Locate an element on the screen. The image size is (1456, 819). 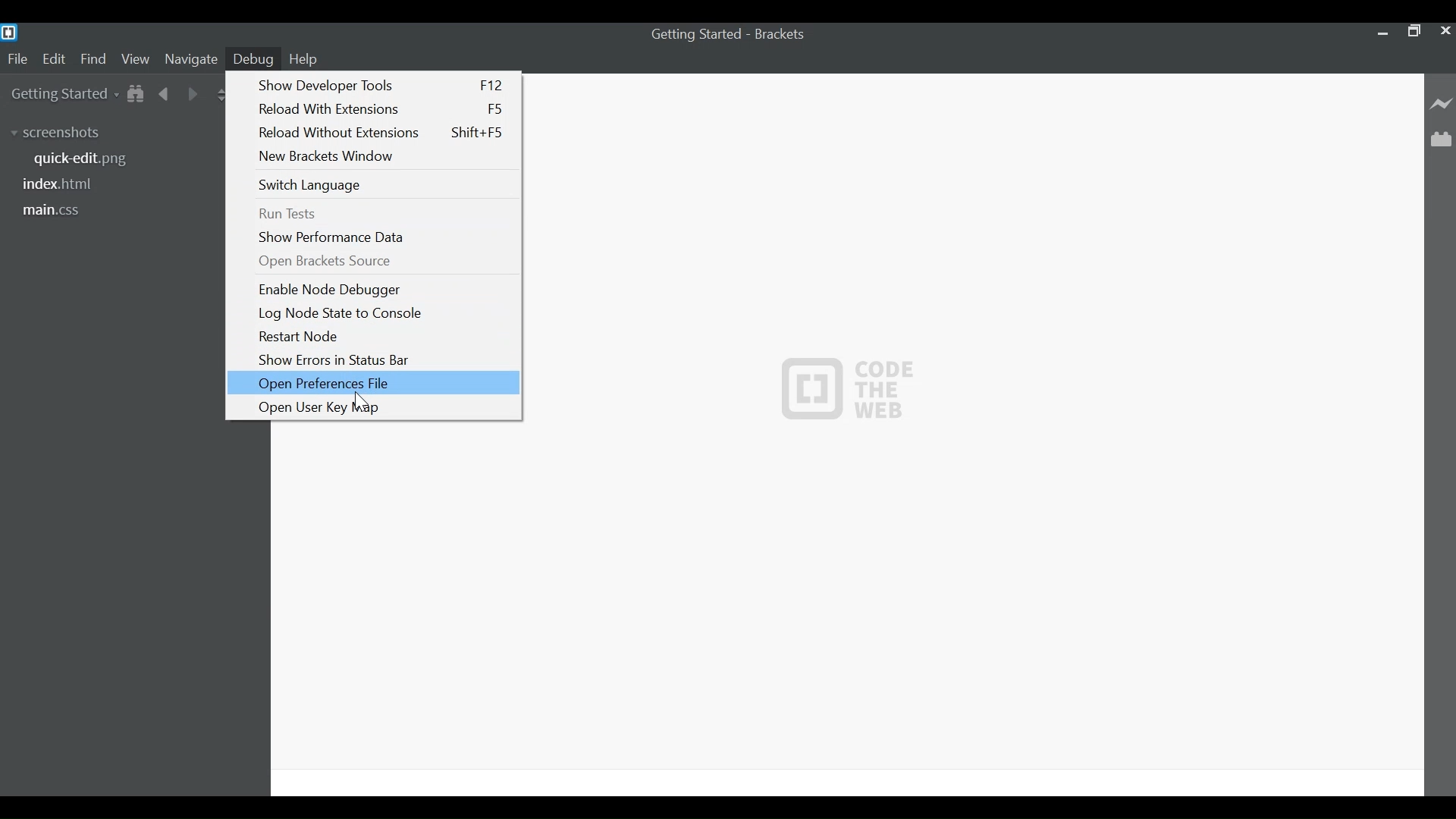
index.html is located at coordinates (63, 183).